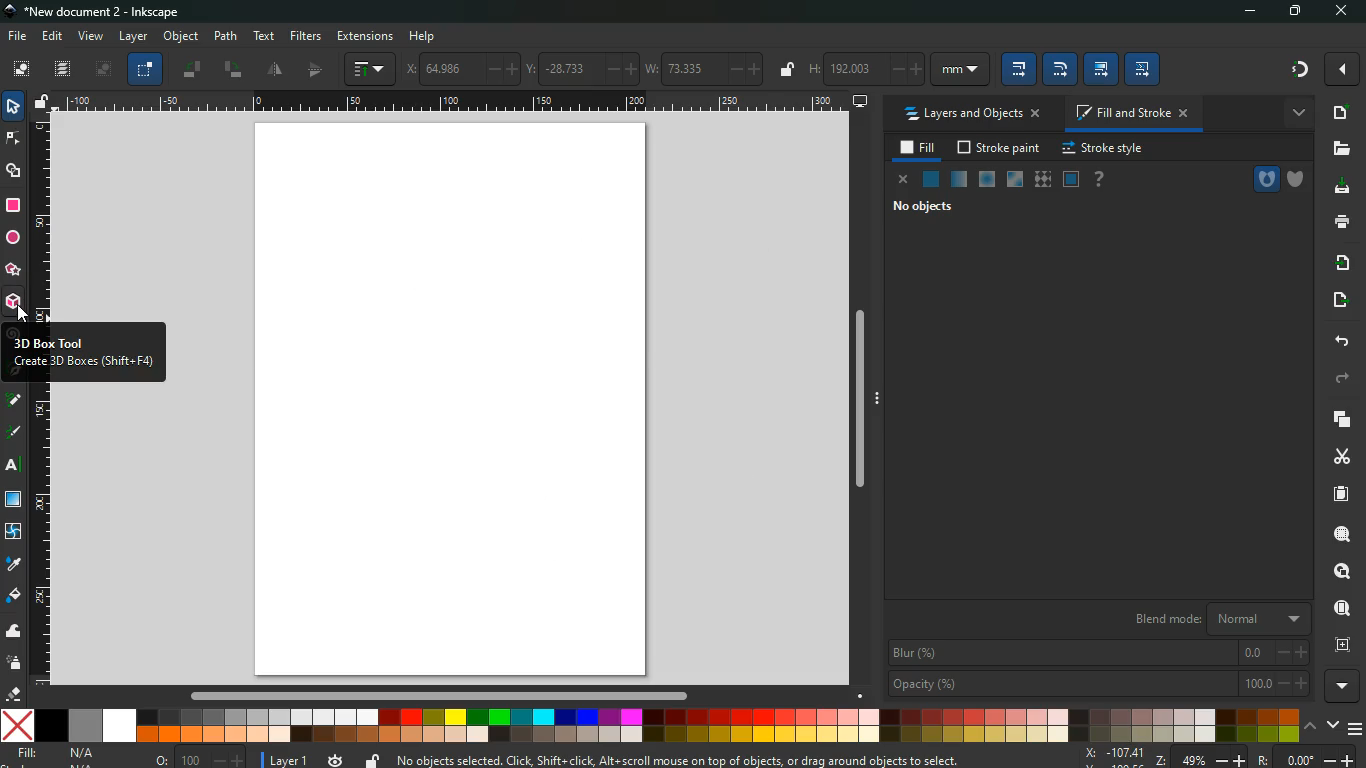 Image resolution: width=1366 pixels, height=768 pixels. Describe the element at coordinates (14, 139) in the screenshot. I see `edge` at that location.